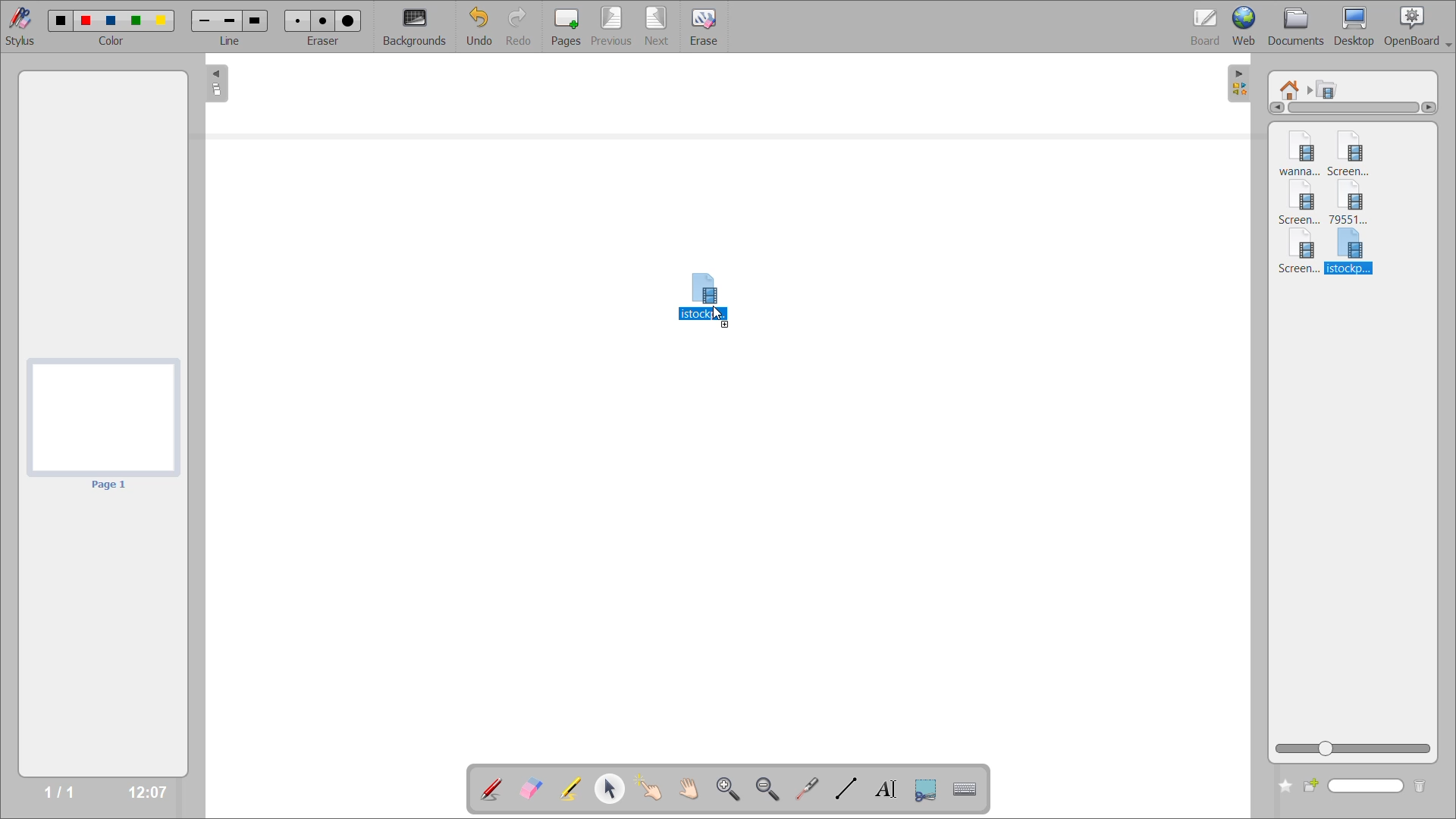 The height and width of the screenshot is (819, 1456). I want to click on time stamp, so click(142, 790).